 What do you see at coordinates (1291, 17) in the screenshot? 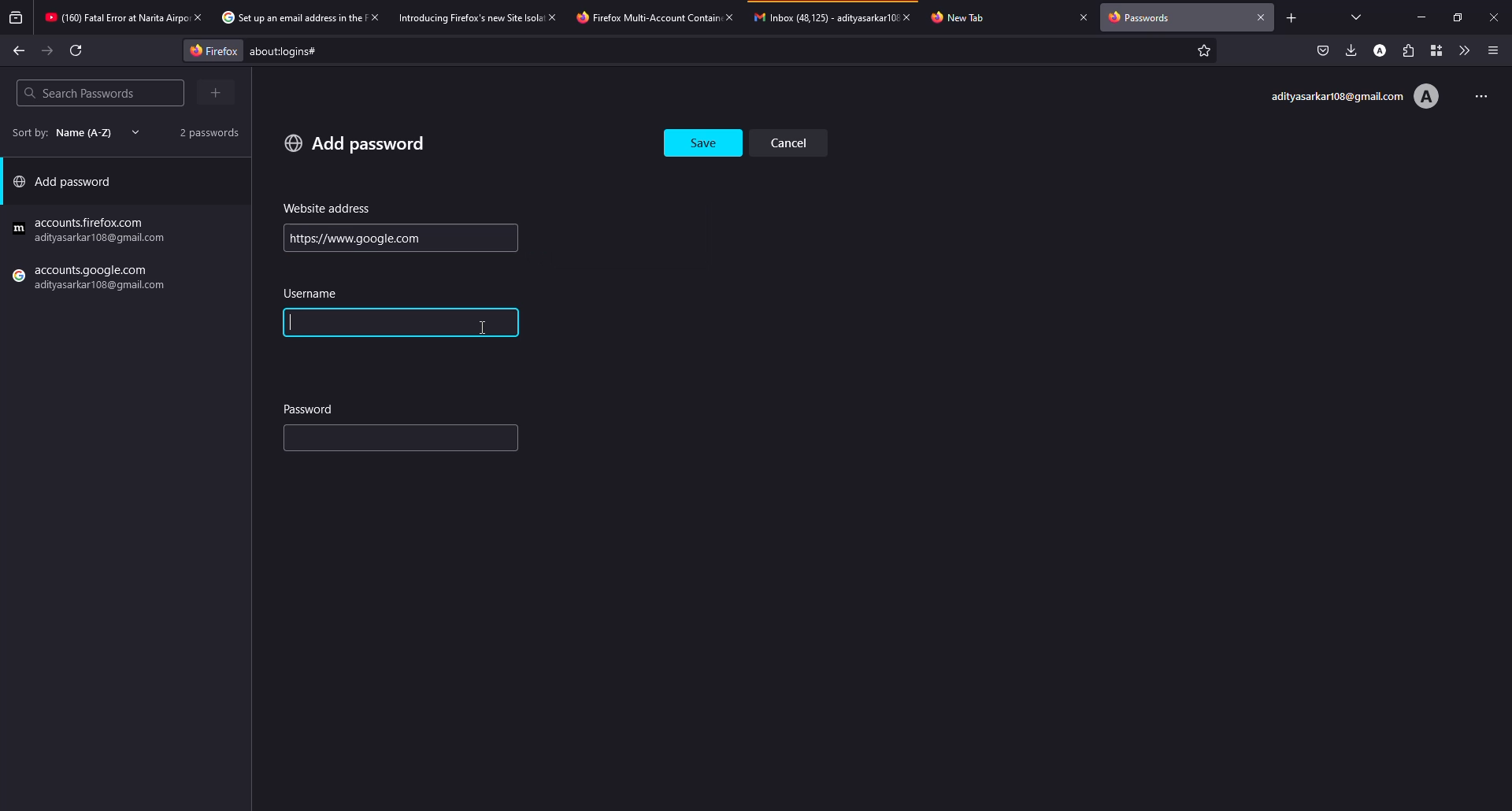
I see `add tab` at bounding box center [1291, 17].